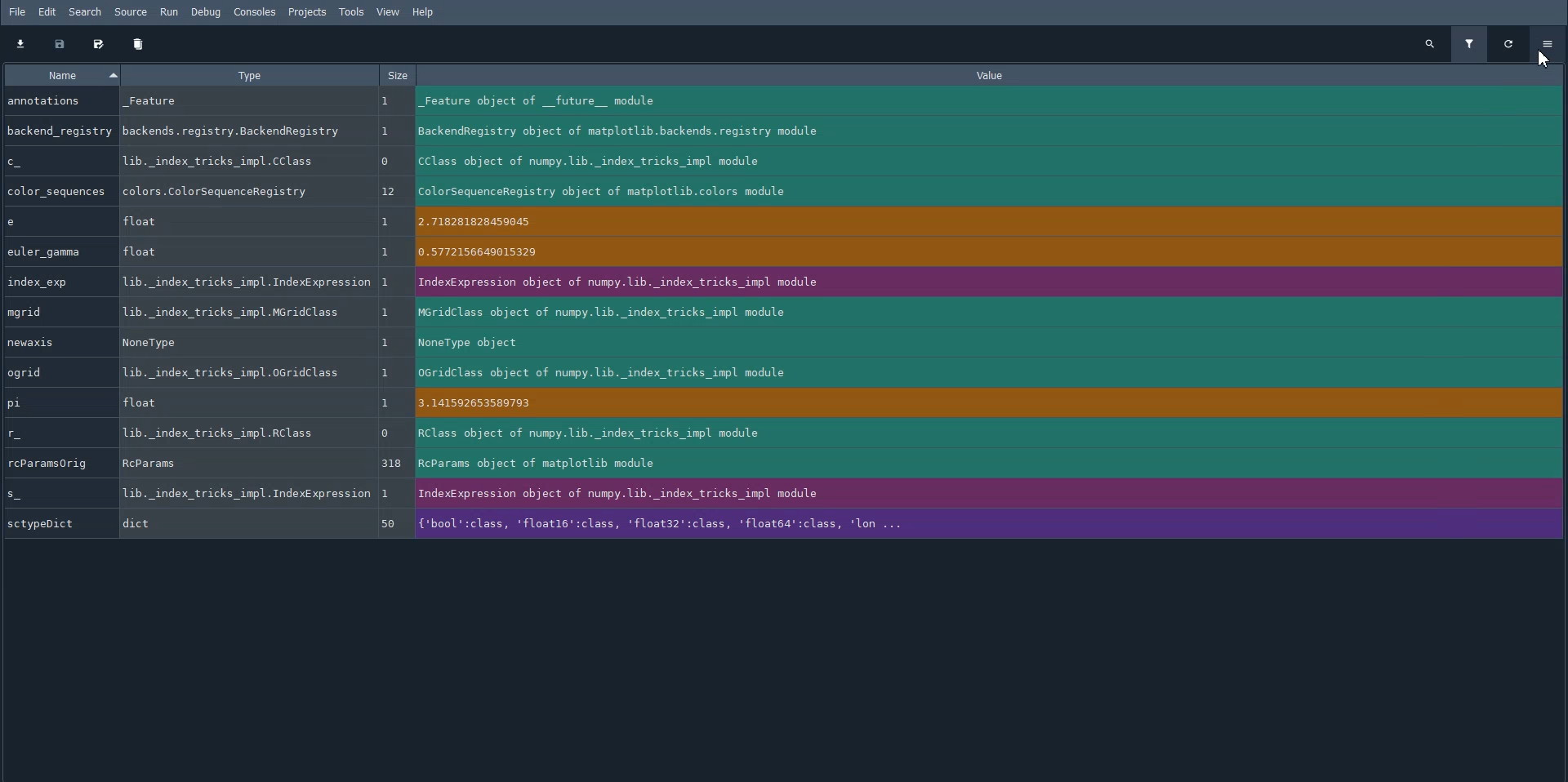 The height and width of the screenshot is (782, 1568). I want to click on Options, so click(1549, 42).